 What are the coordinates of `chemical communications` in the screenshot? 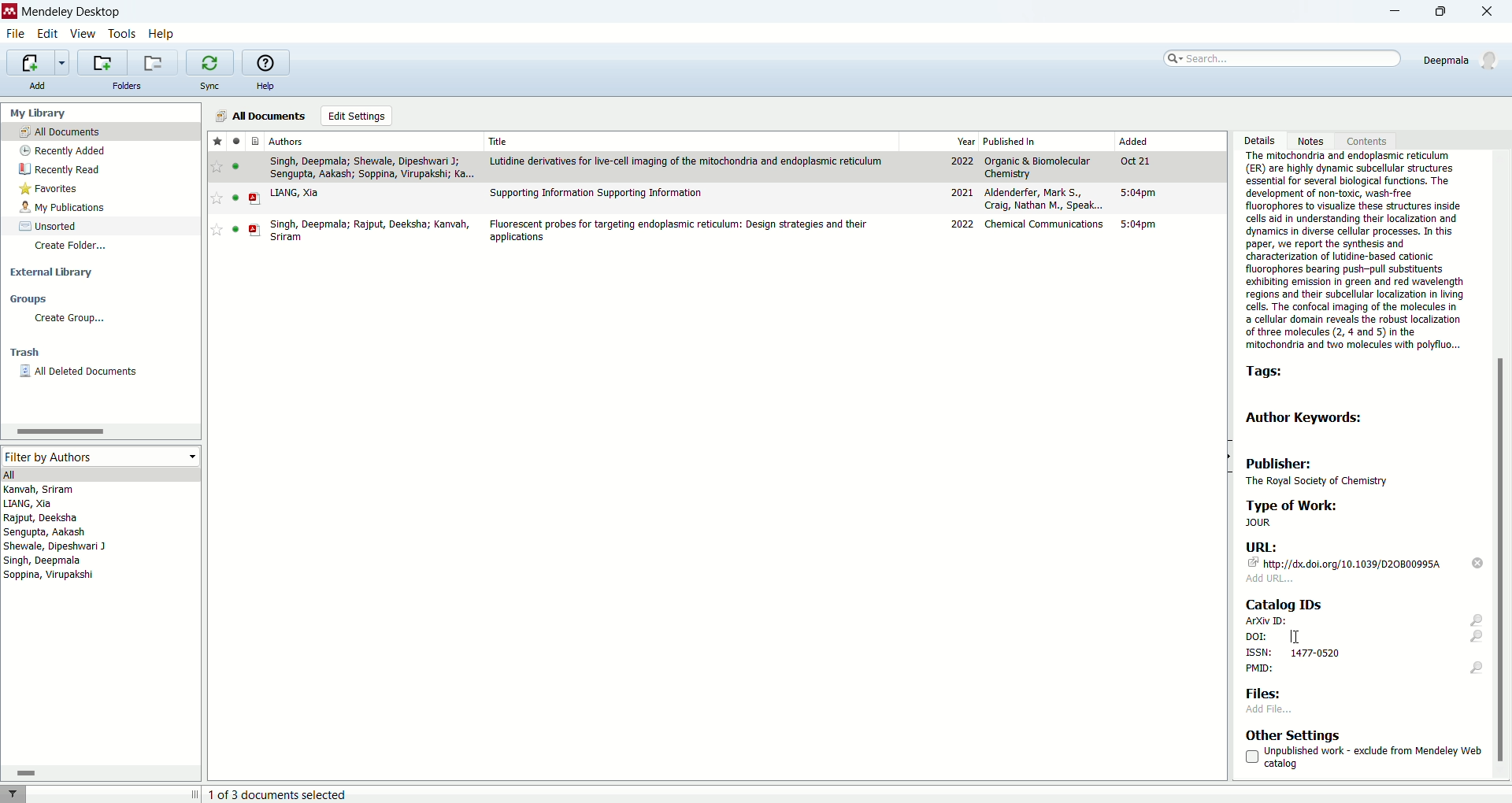 It's located at (1046, 224).